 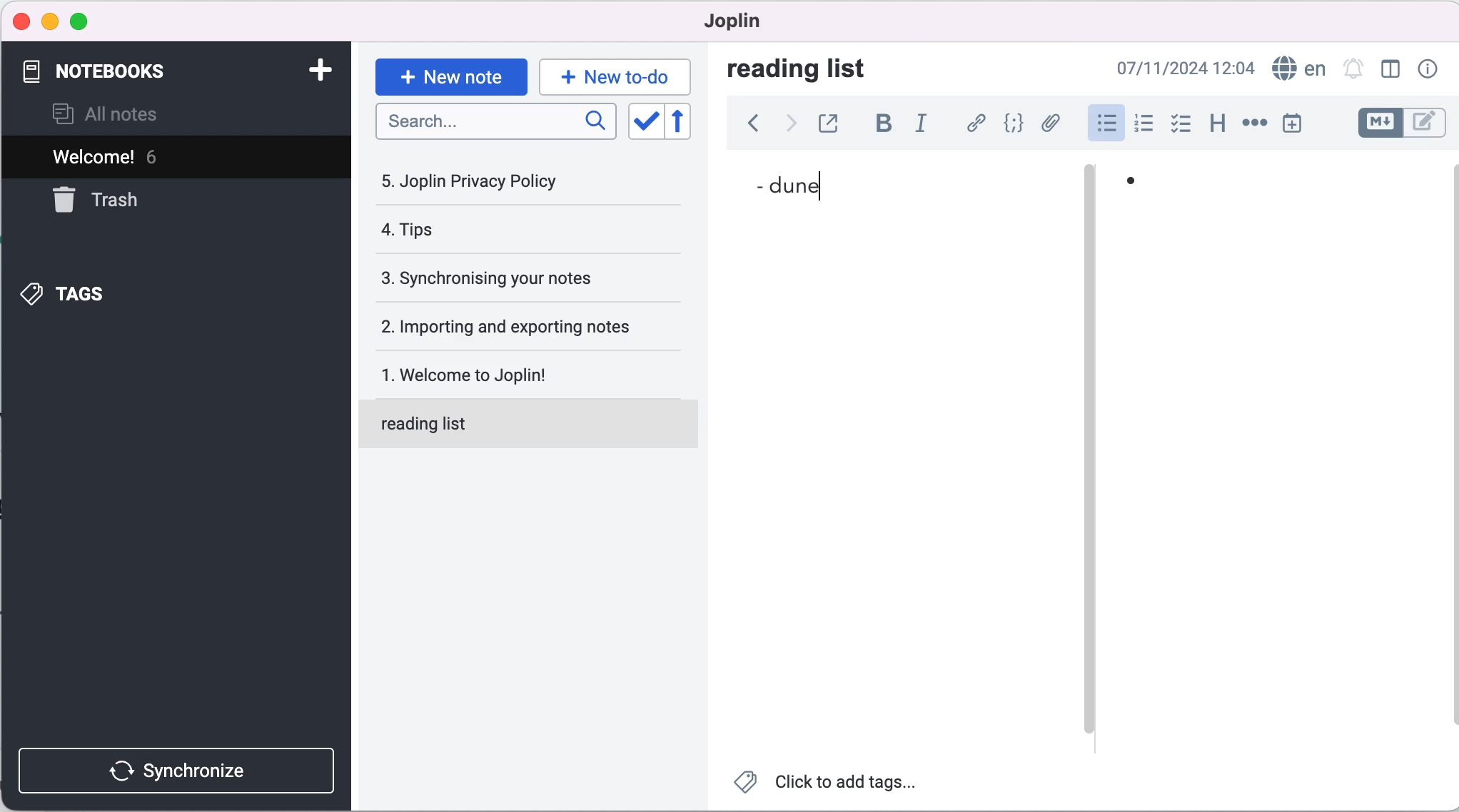 What do you see at coordinates (814, 70) in the screenshot?
I see `reading list` at bounding box center [814, 70].